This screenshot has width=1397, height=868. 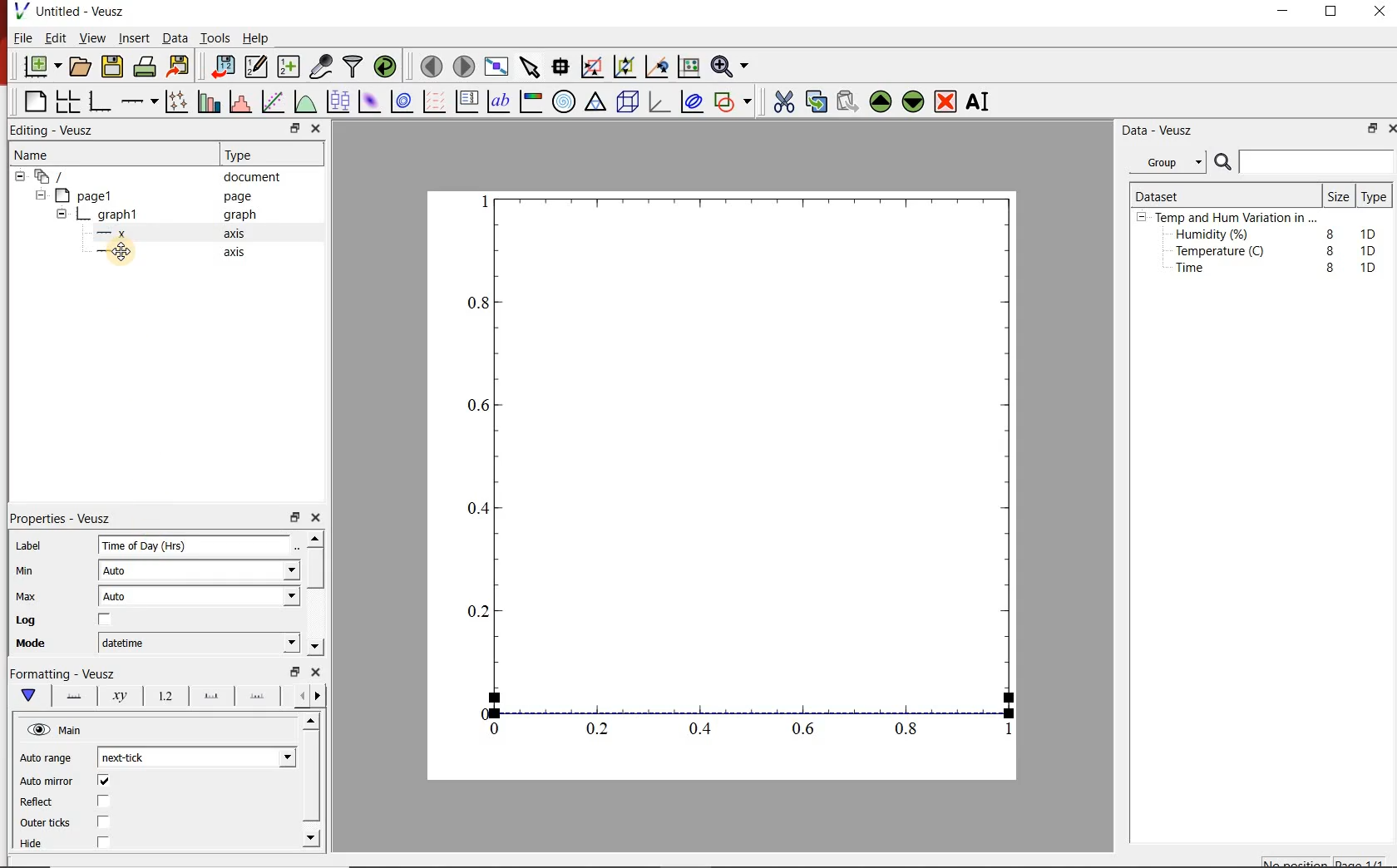 I want to click on Help, so click(x=257, y=37).